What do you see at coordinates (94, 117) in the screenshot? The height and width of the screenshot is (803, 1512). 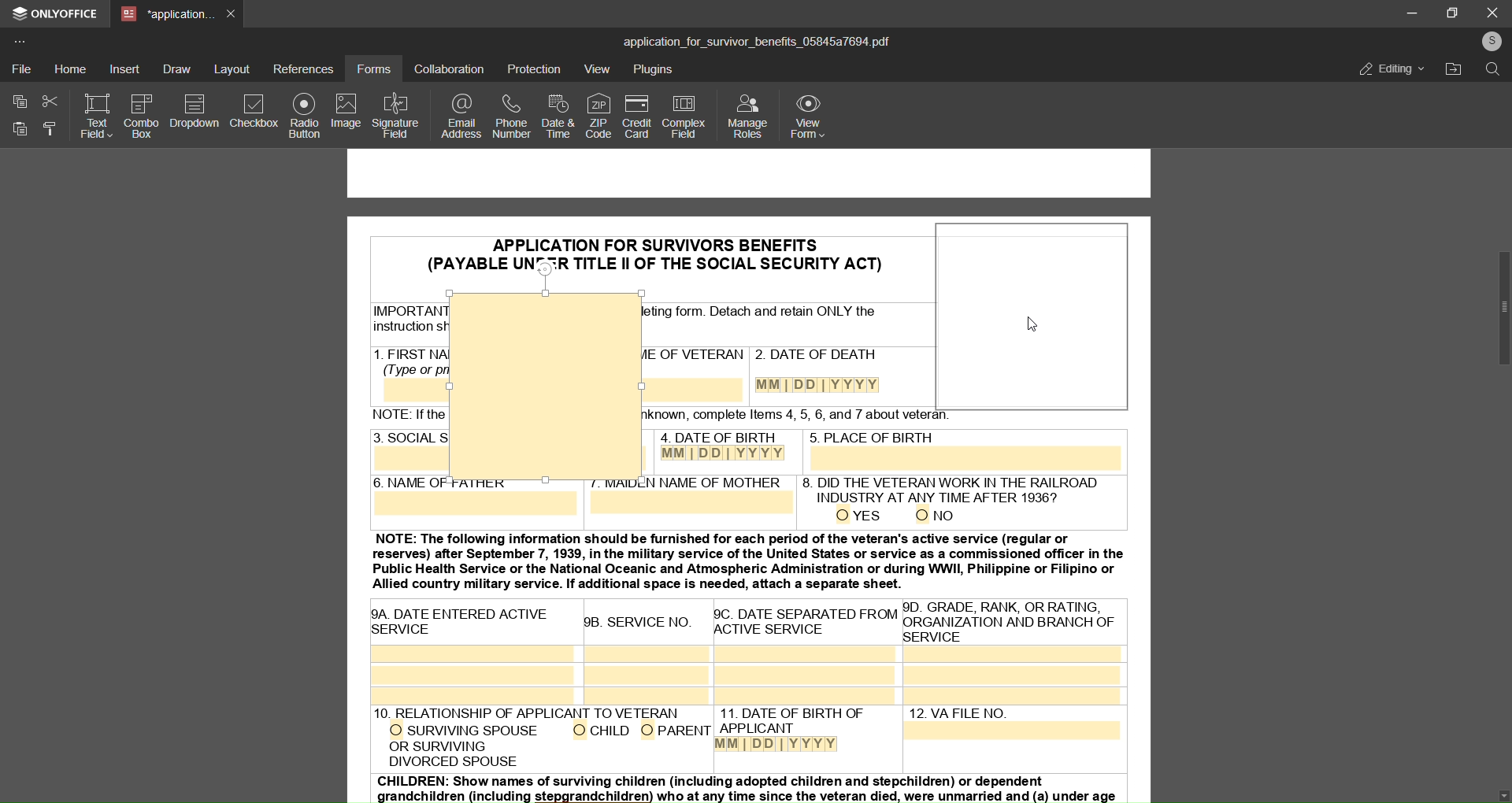 I see `text field` at bounding box center [94, 117].